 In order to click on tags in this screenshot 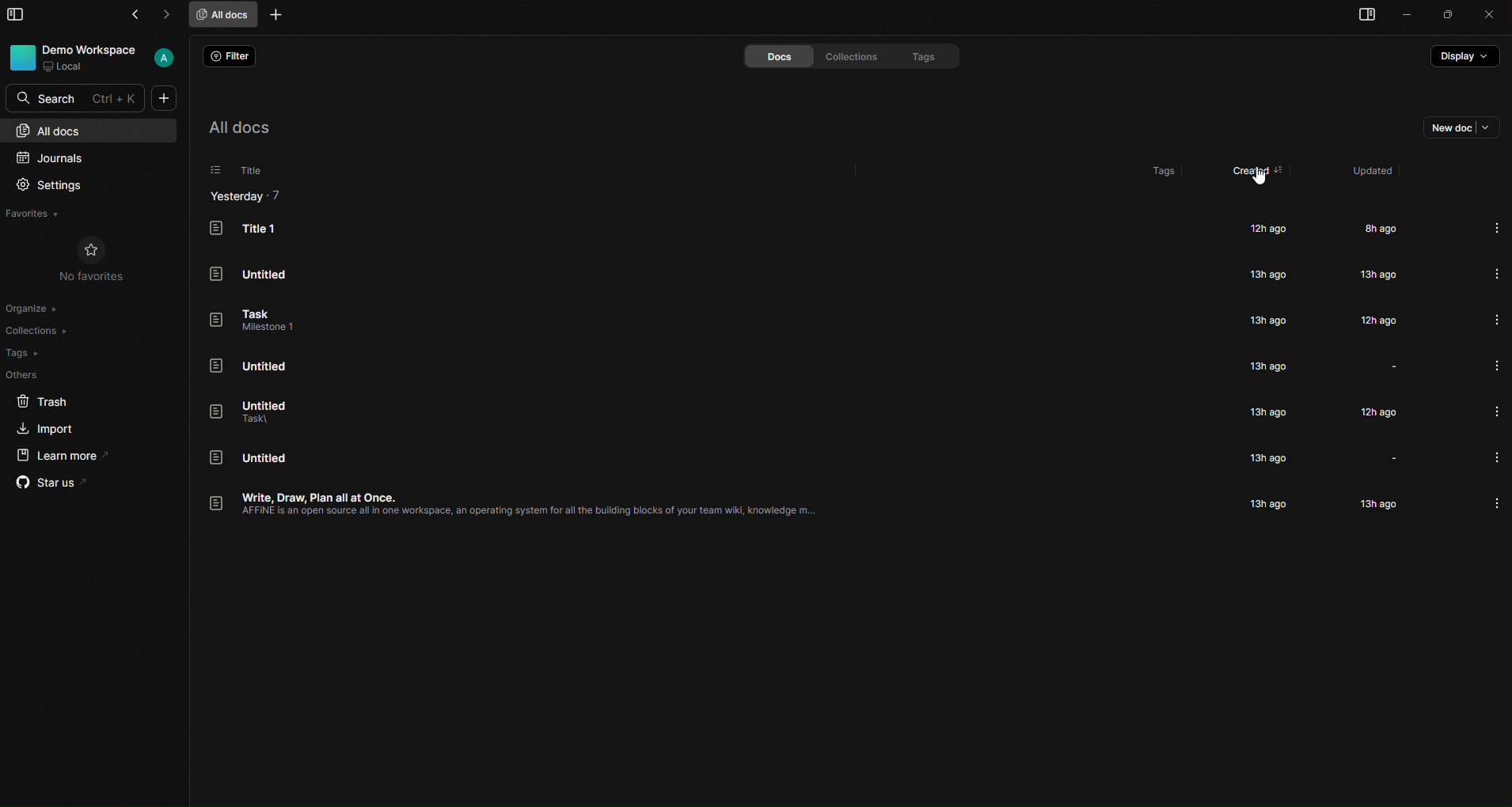, I will do `click(1164, 165)`.